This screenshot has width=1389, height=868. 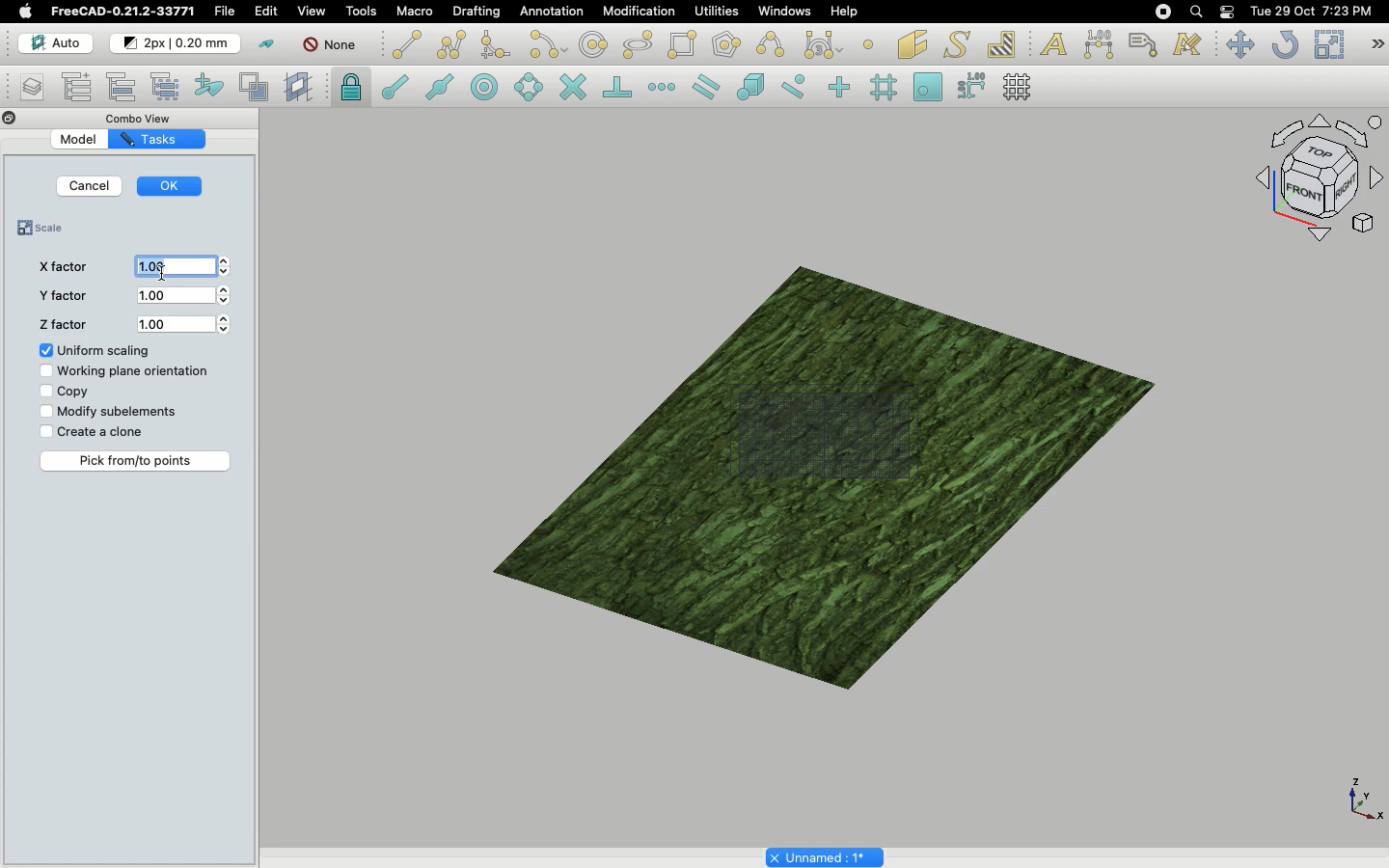 What do you see at coordinates (1228, 11) in the screenshot?
I see `Notification` at bounding box center [1228, 11].